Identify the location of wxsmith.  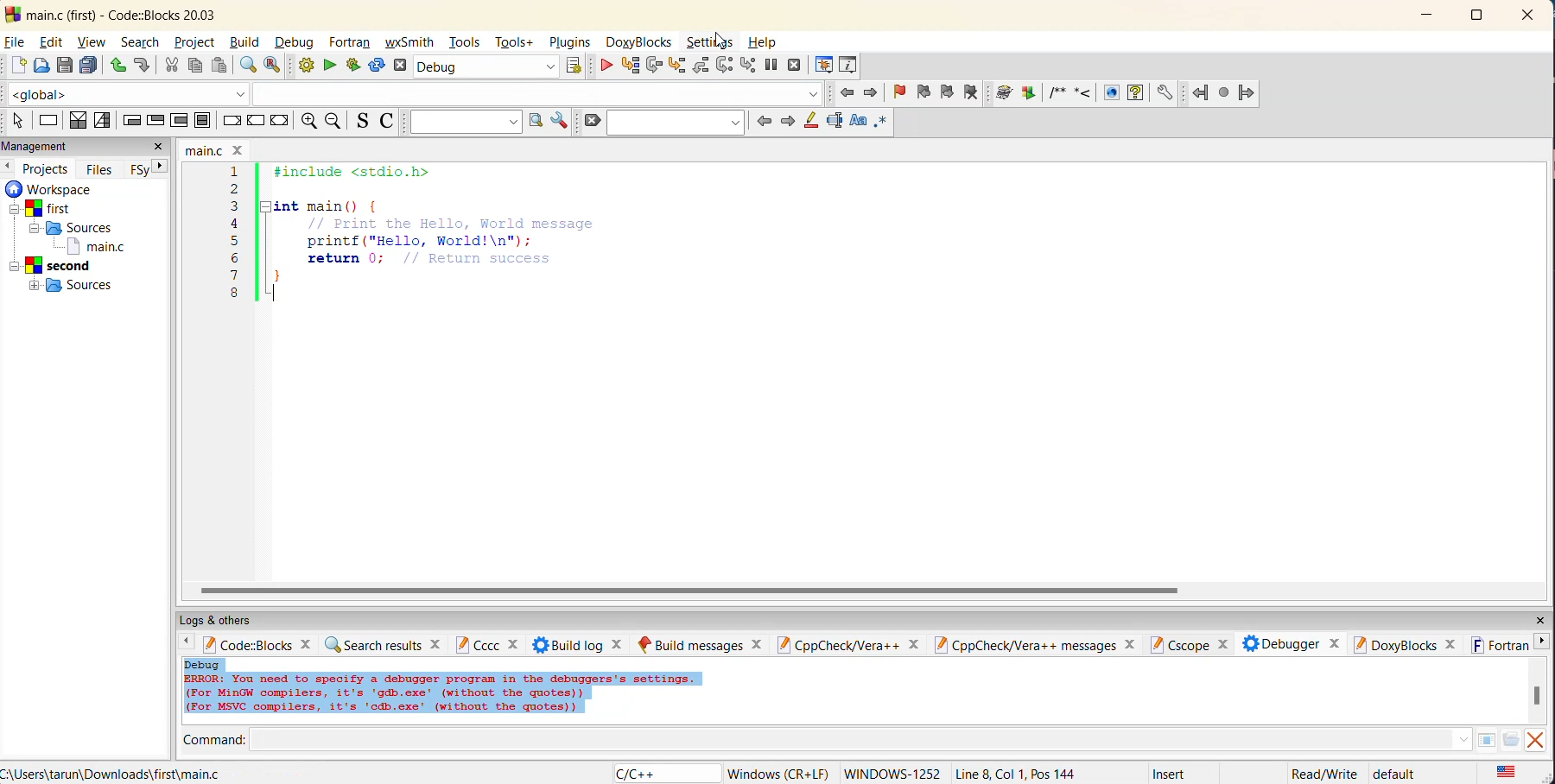
(412, 44).